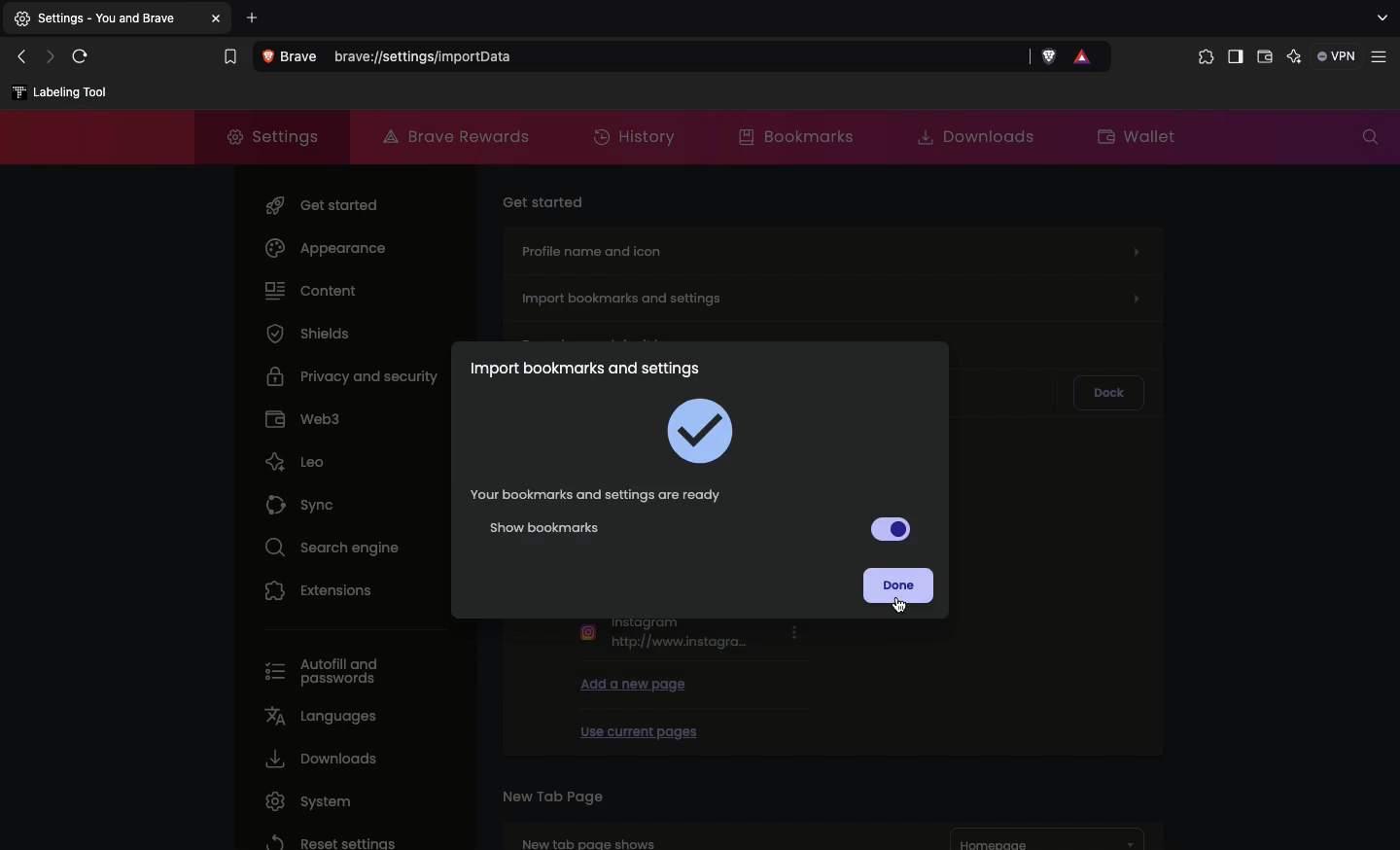 Image resolution: width=1400 pixels, height=850 pixels. I want to click on Get started, so click(326, 201).